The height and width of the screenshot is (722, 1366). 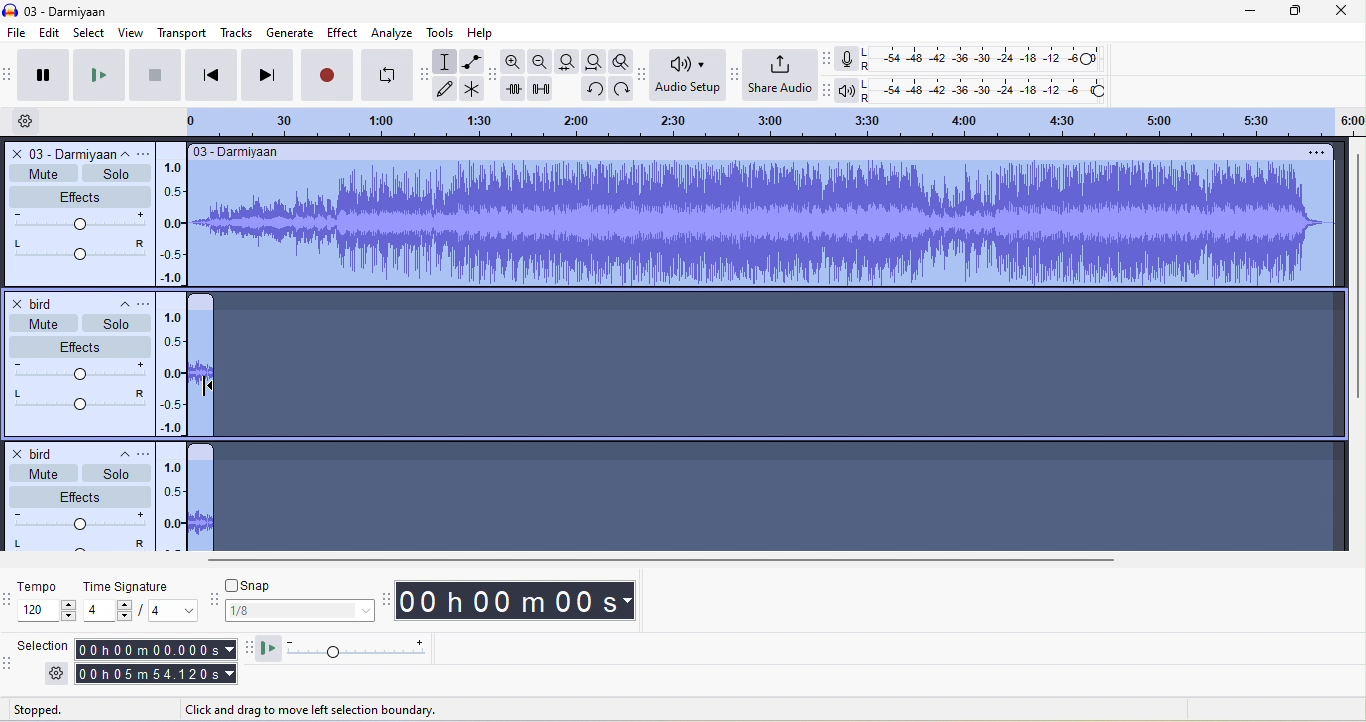 I want to click on cursor, so click(x=203, y=385).